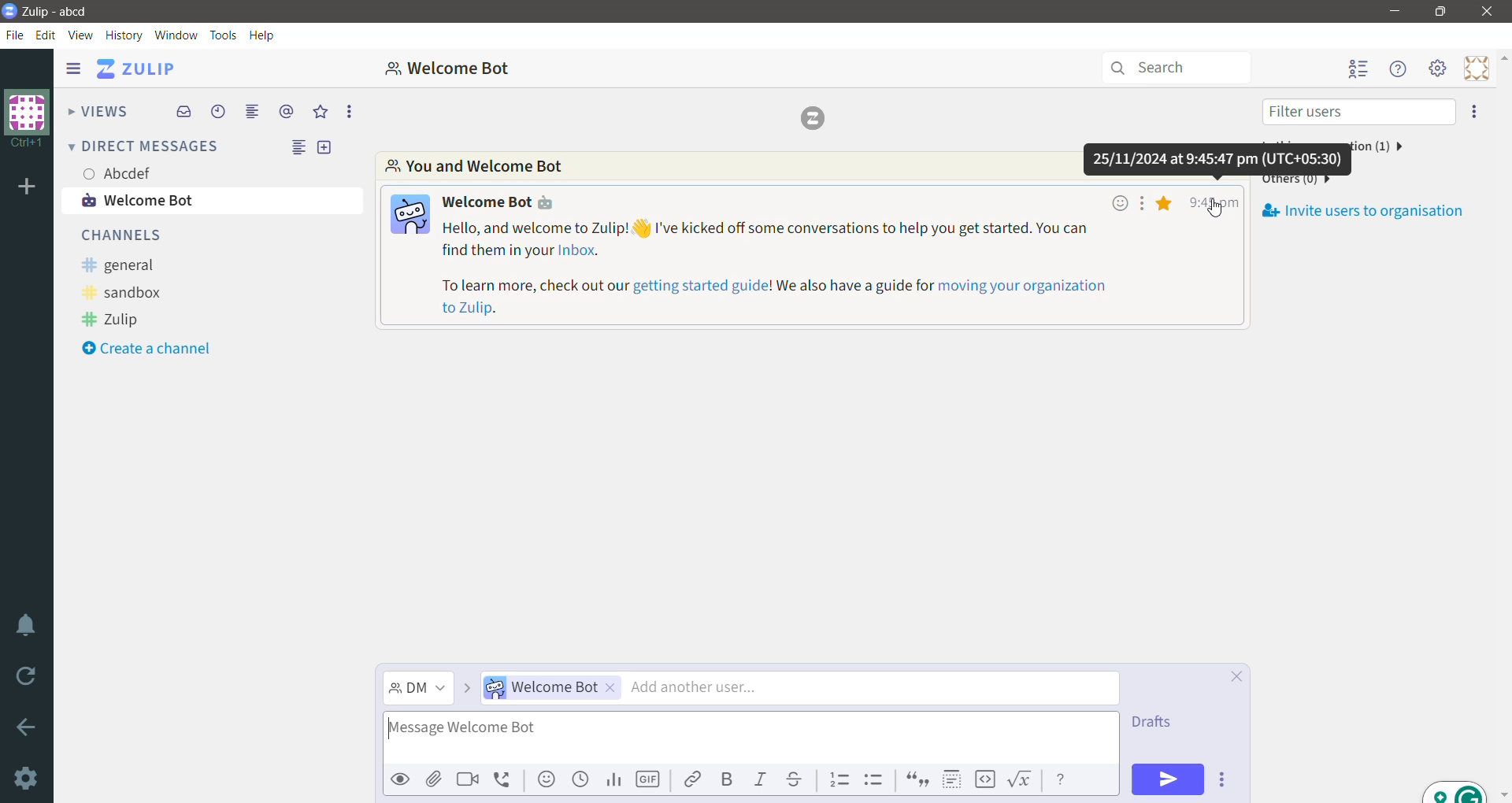 The height and width of the screenshot is (803, 1512). What do you see at coordinates (74, 69) in the screenshot?
I see `Hide/Show left sidebar` at bounding box center [74, 69].